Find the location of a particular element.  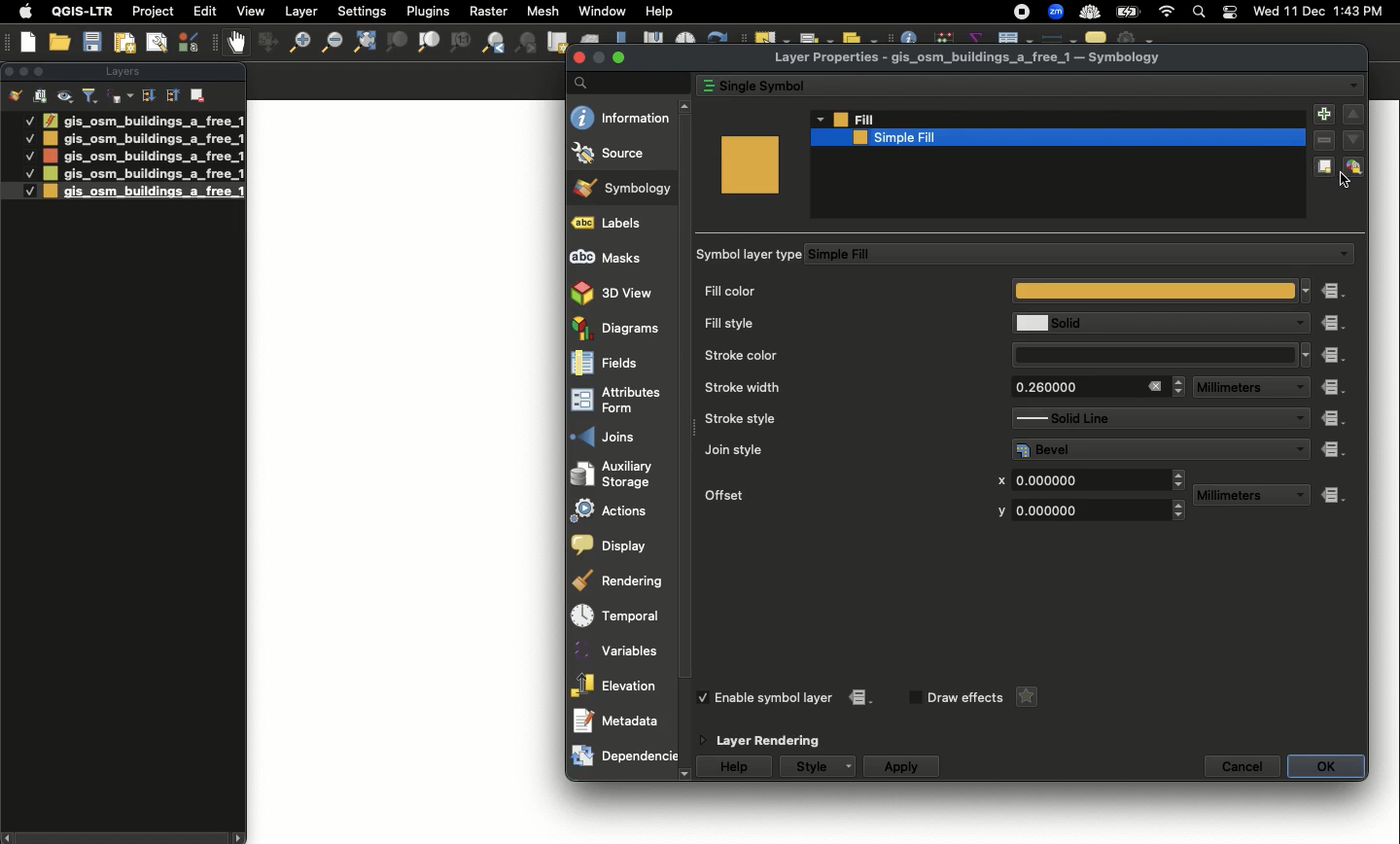

maximize is located at coordinates (619, 56).